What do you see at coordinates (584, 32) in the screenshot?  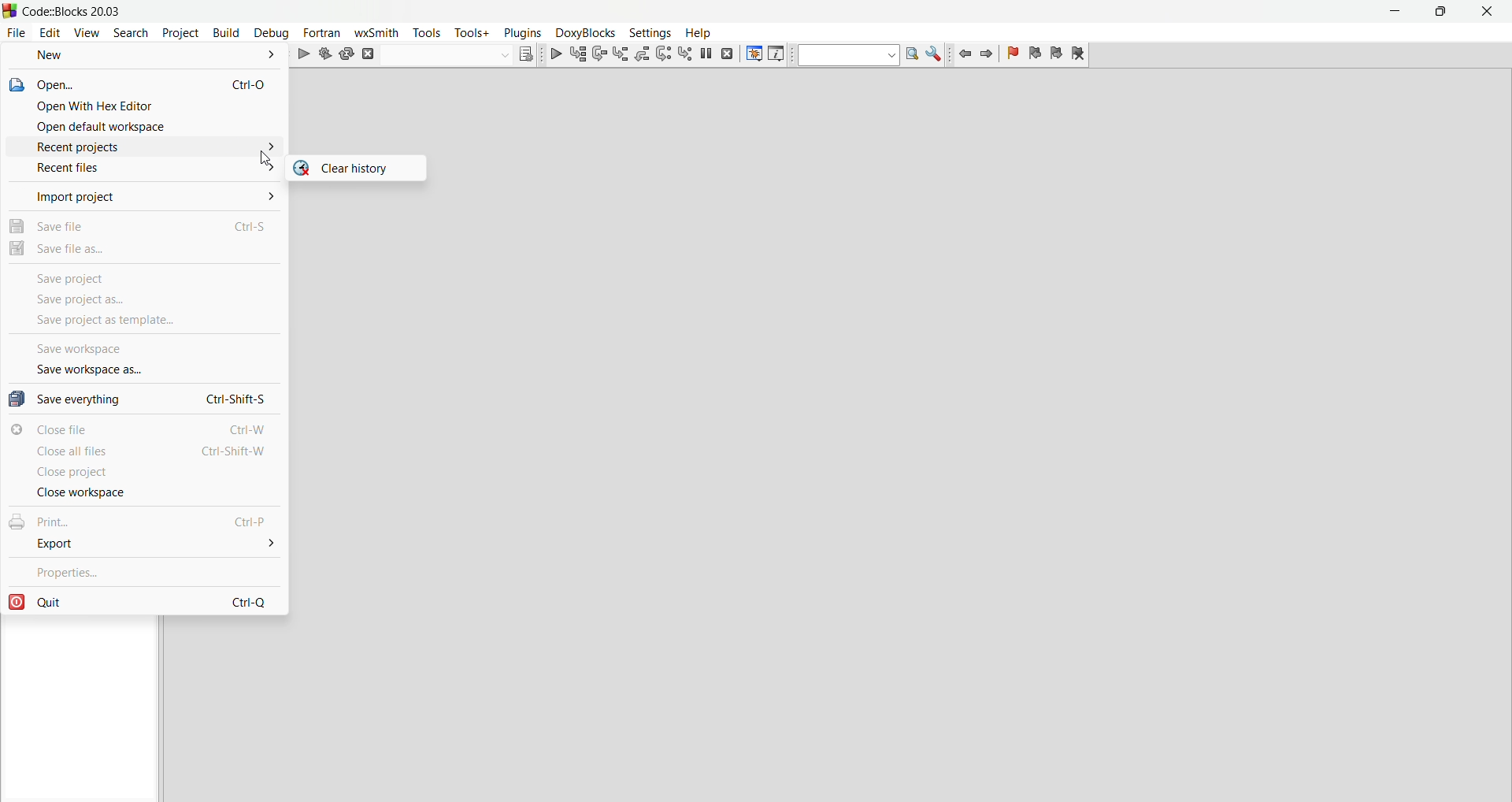 I see `` at bounding box center [584, 32].